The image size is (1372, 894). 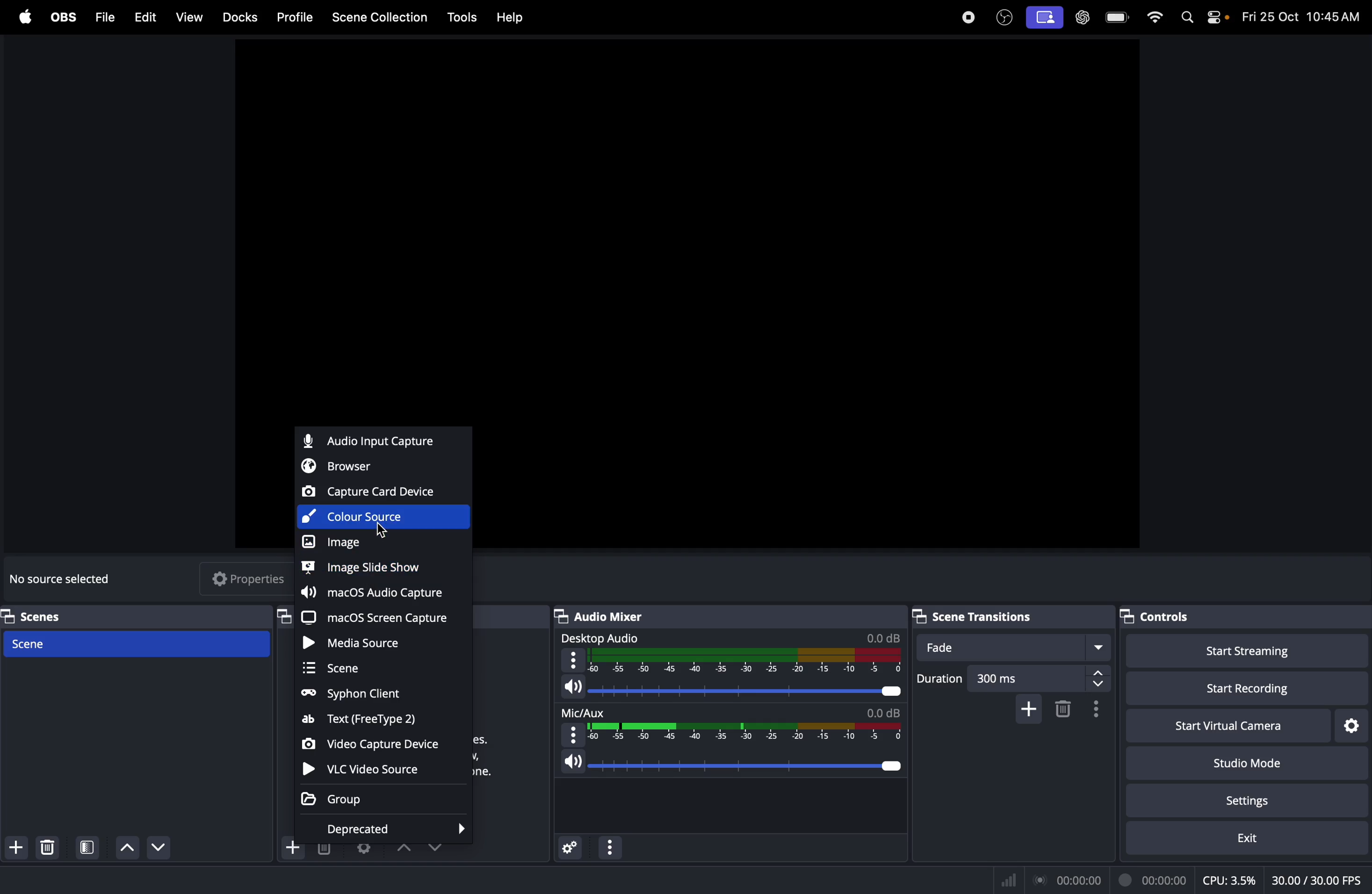 What do you see at coordinates (363, 850) in the screenshot?
I see `open source properties` at bounding box center [363, 850].